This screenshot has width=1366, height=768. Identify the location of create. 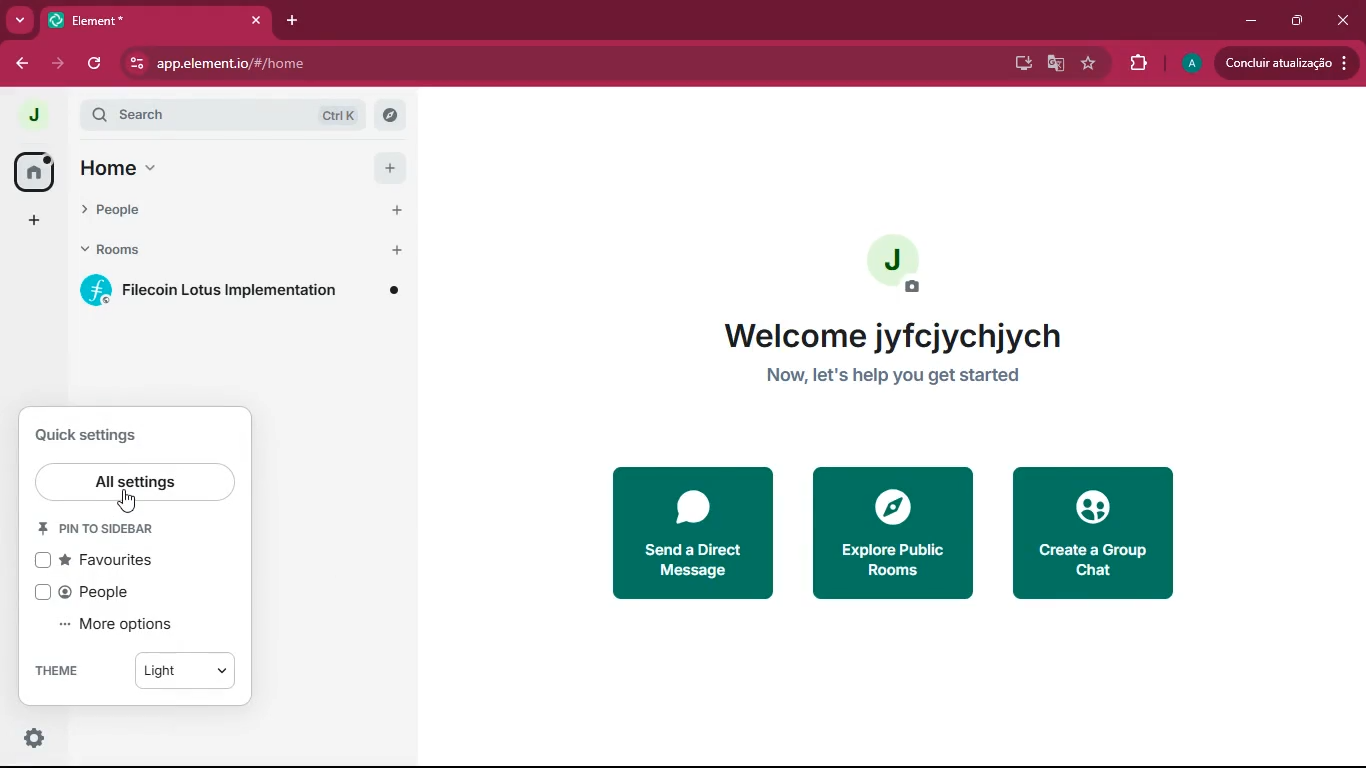
(1103, 538).